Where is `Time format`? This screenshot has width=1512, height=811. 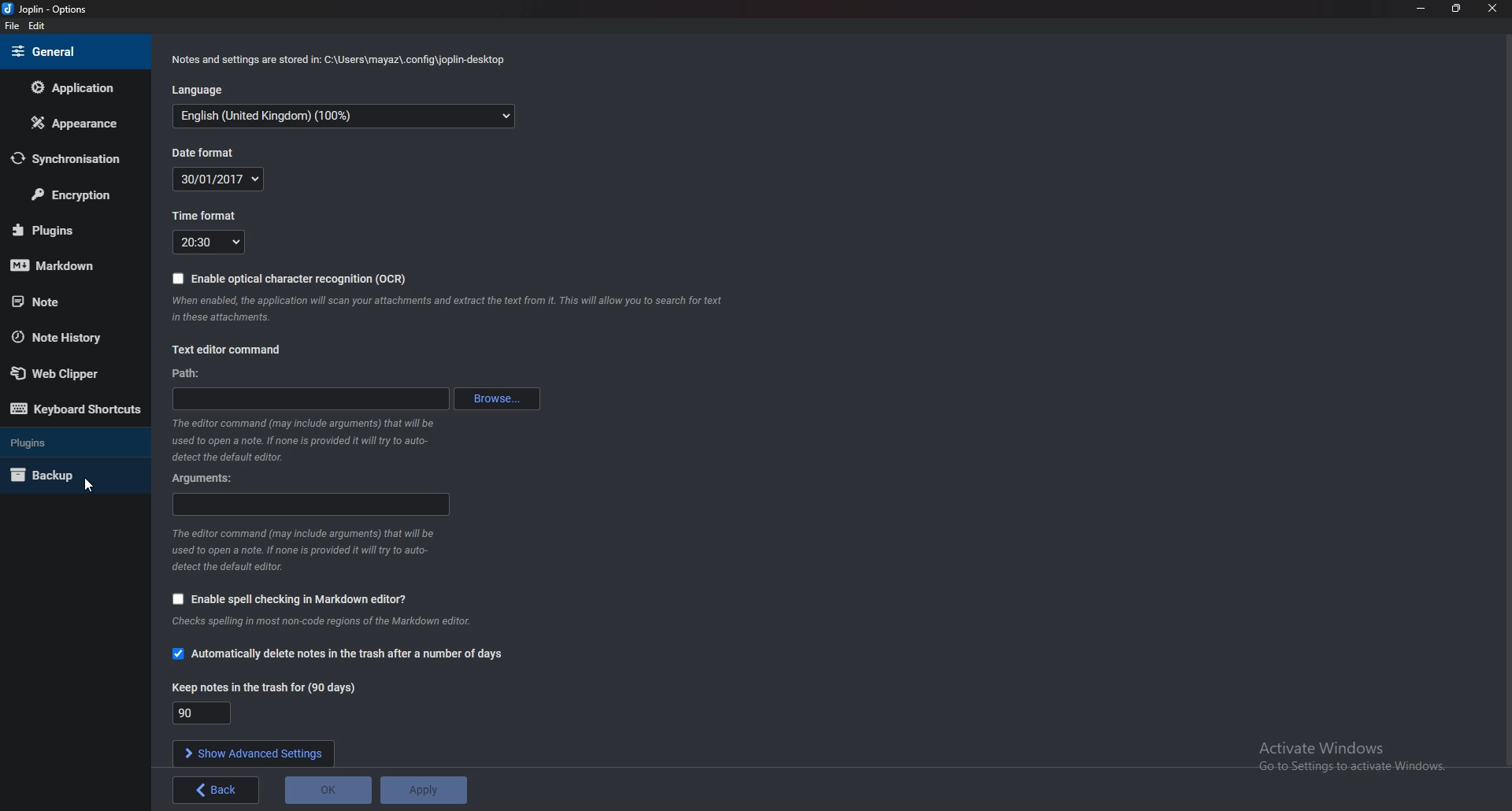 Time format is located at coordinates (204, 213).